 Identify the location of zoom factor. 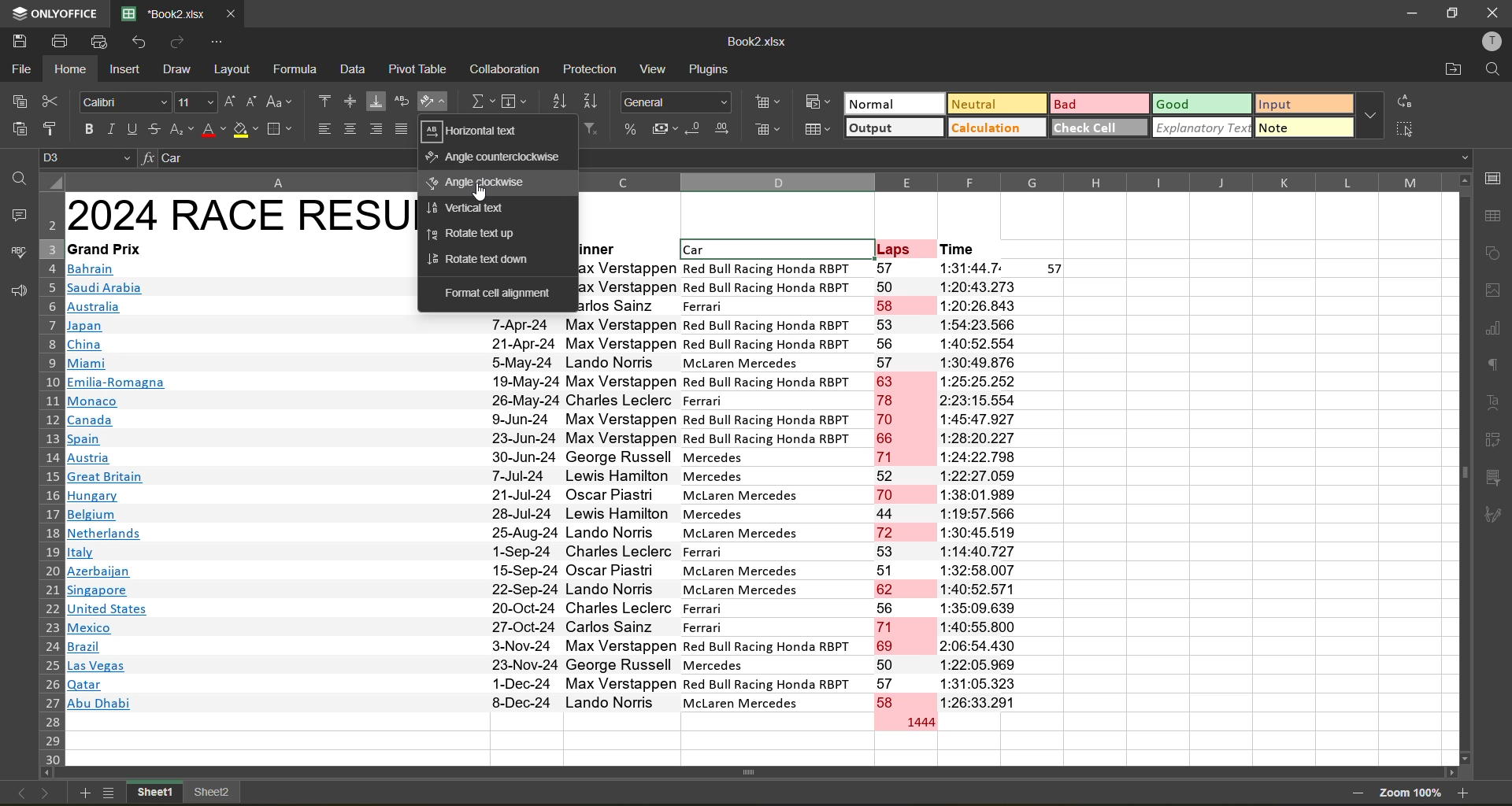
(1411, 793).